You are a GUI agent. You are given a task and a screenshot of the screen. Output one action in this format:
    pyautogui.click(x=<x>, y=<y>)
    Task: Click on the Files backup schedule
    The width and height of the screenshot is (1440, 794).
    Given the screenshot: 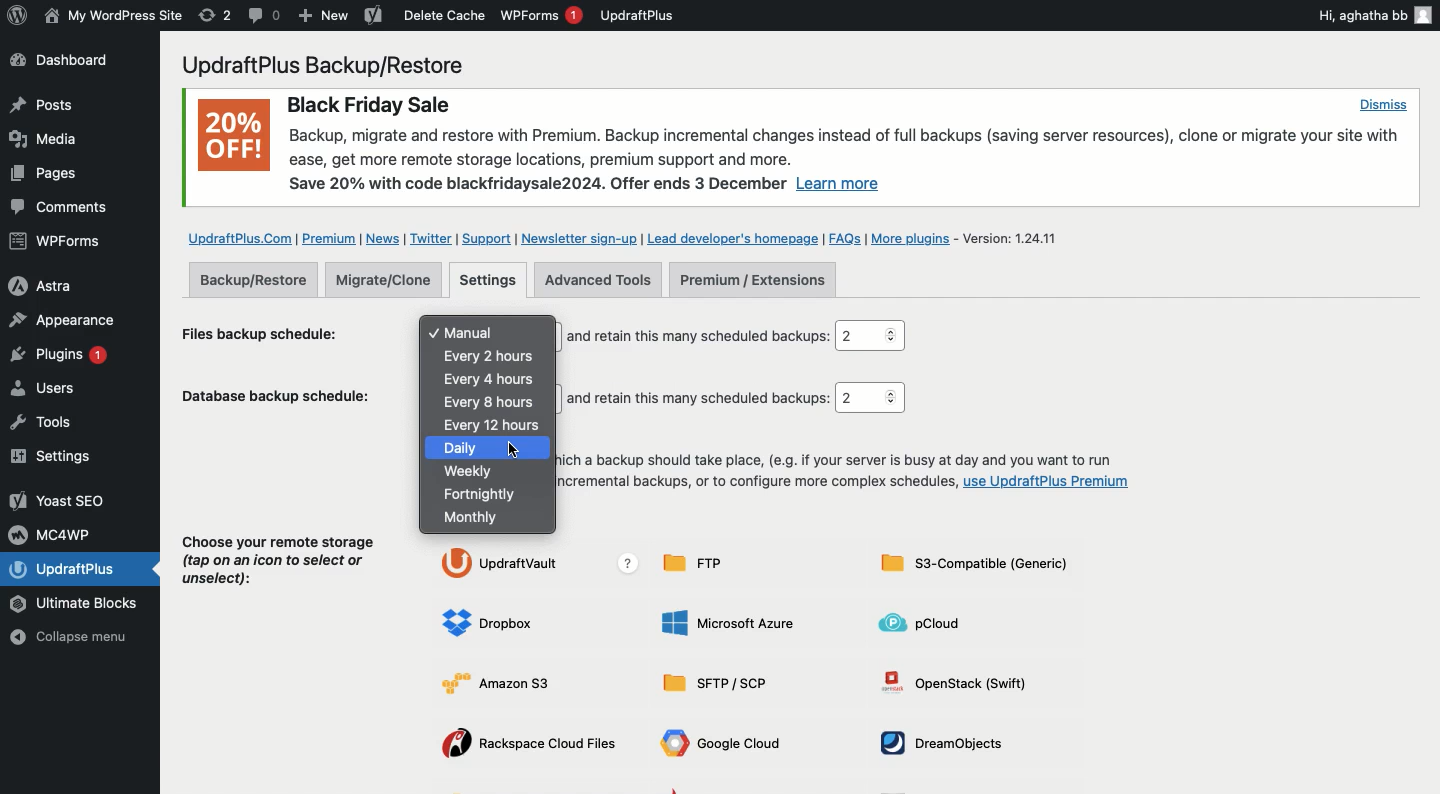 What is the action you would take?
    pyautogui.click(x=269, y=332)
    